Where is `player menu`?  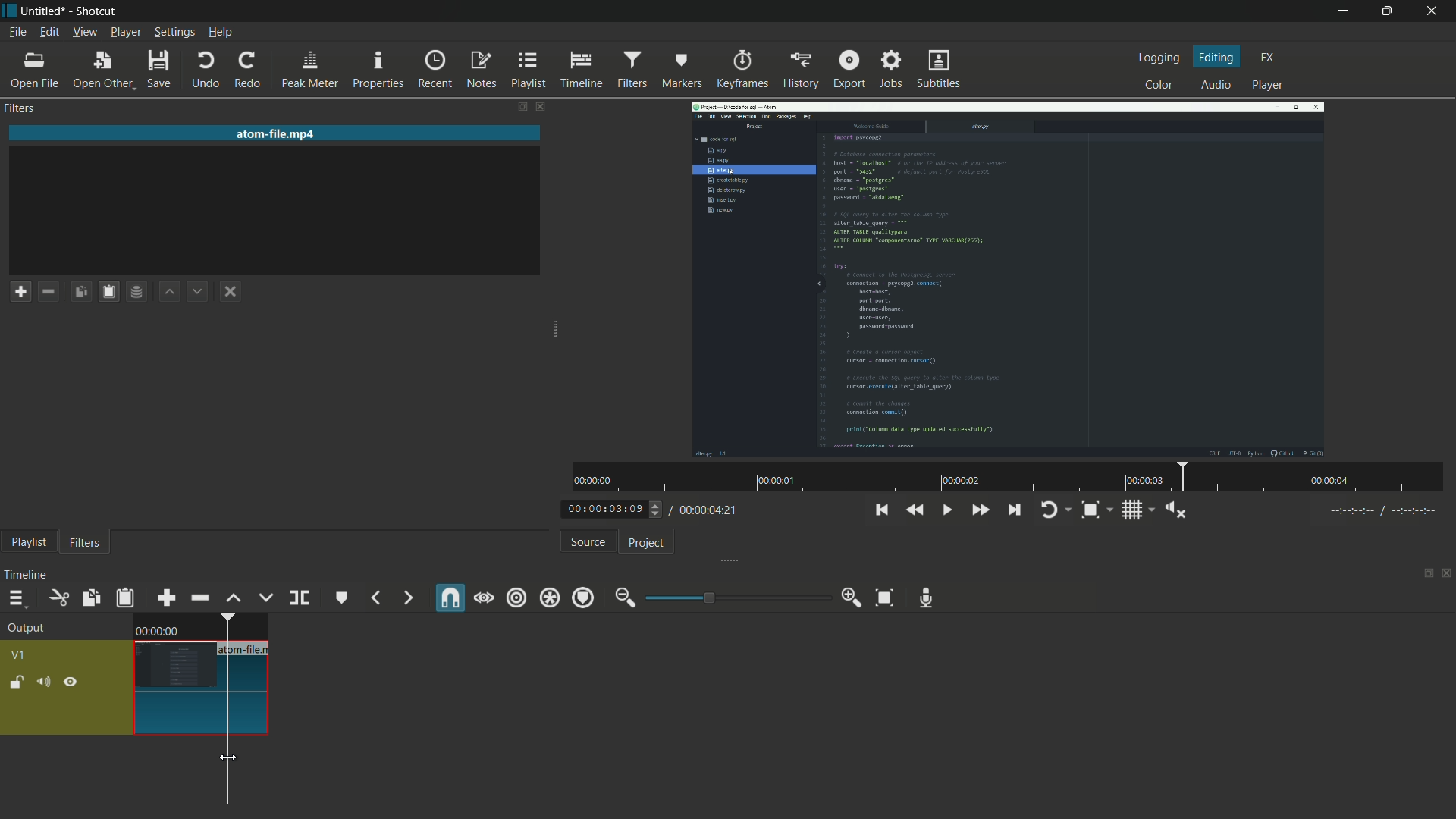
player menu is located at coordinates (127, 33).